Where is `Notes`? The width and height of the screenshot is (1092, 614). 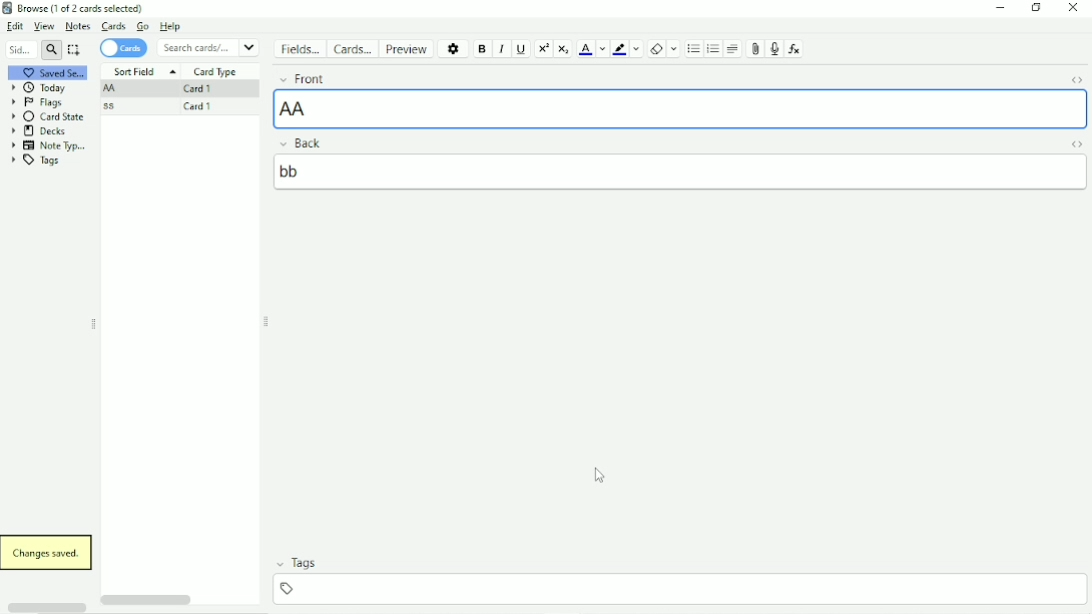
Notes is located at coordinates (77, 26).